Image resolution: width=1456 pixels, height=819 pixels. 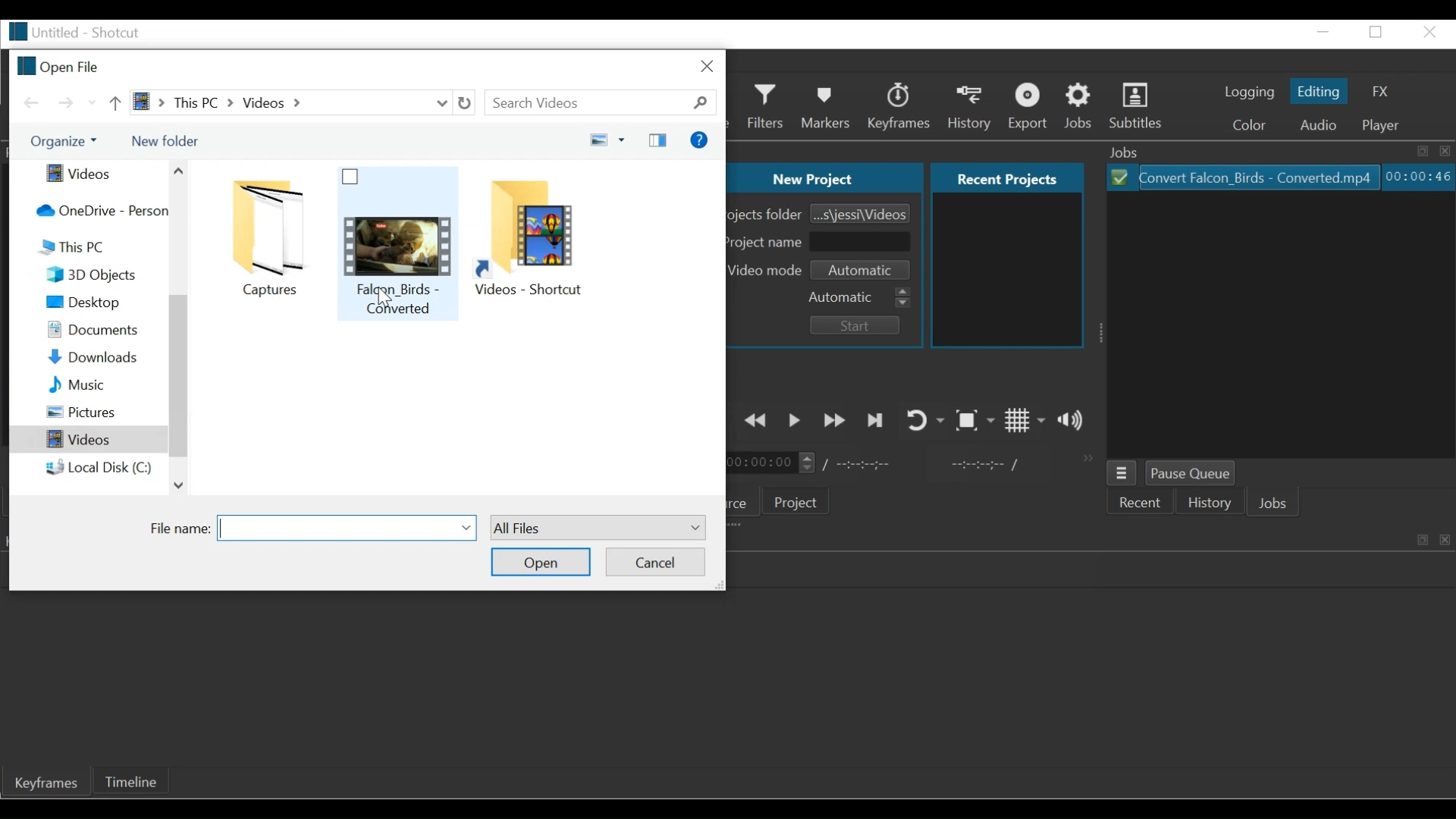 I want to click on Source, so click(x=748, y=500).